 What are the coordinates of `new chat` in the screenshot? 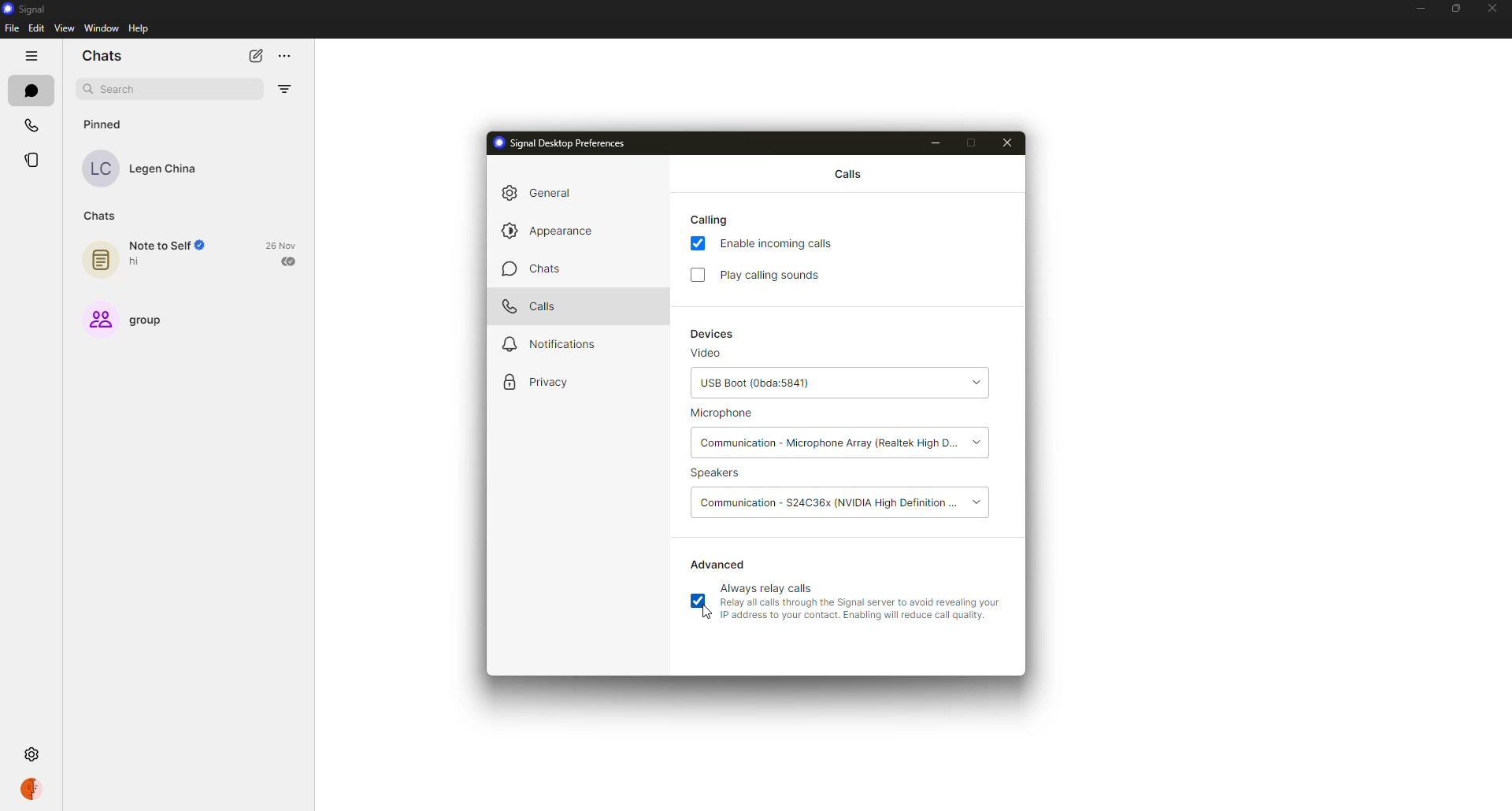 It's located at (251, 55).